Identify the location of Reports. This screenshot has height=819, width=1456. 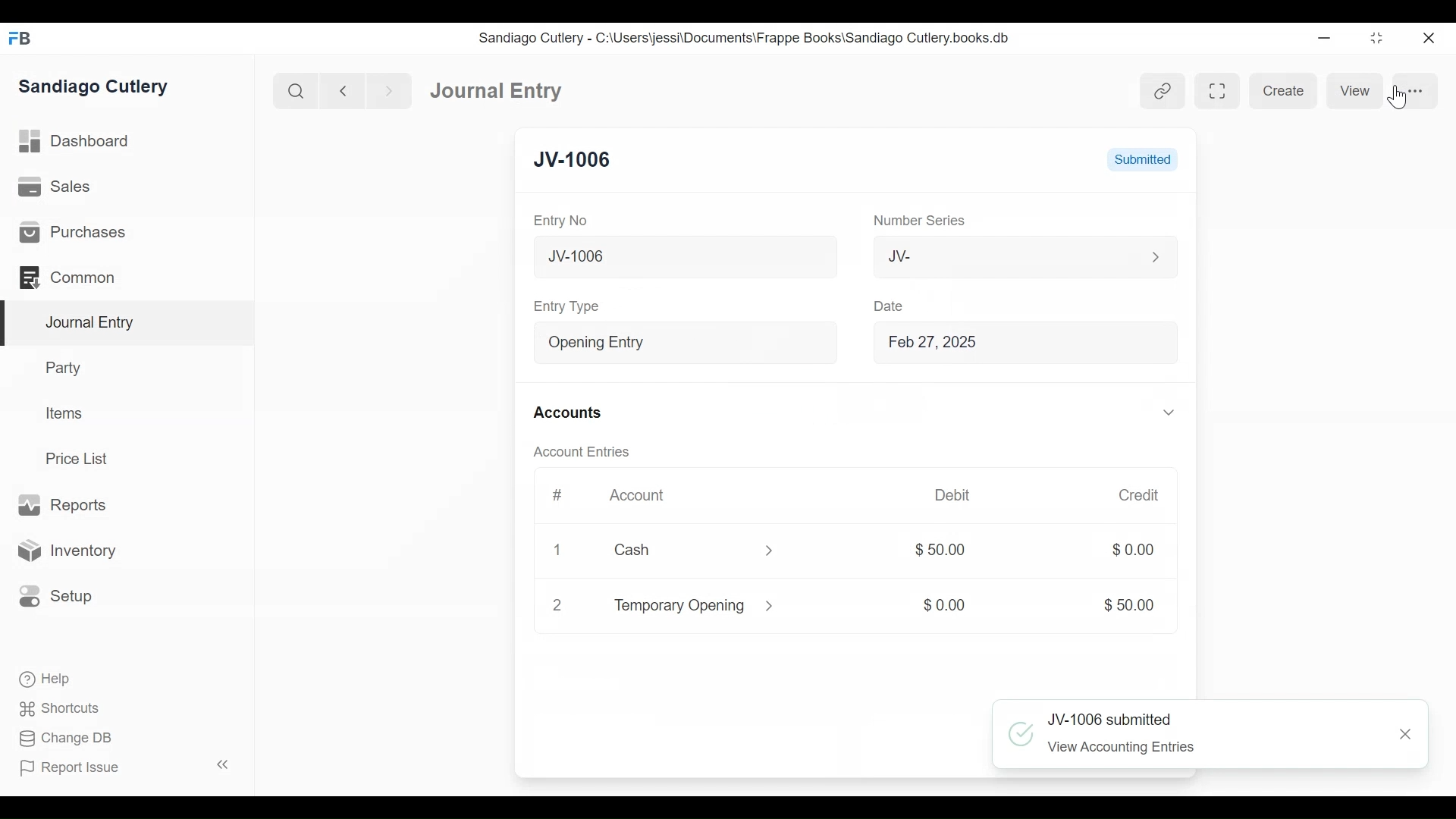
(67, 505).